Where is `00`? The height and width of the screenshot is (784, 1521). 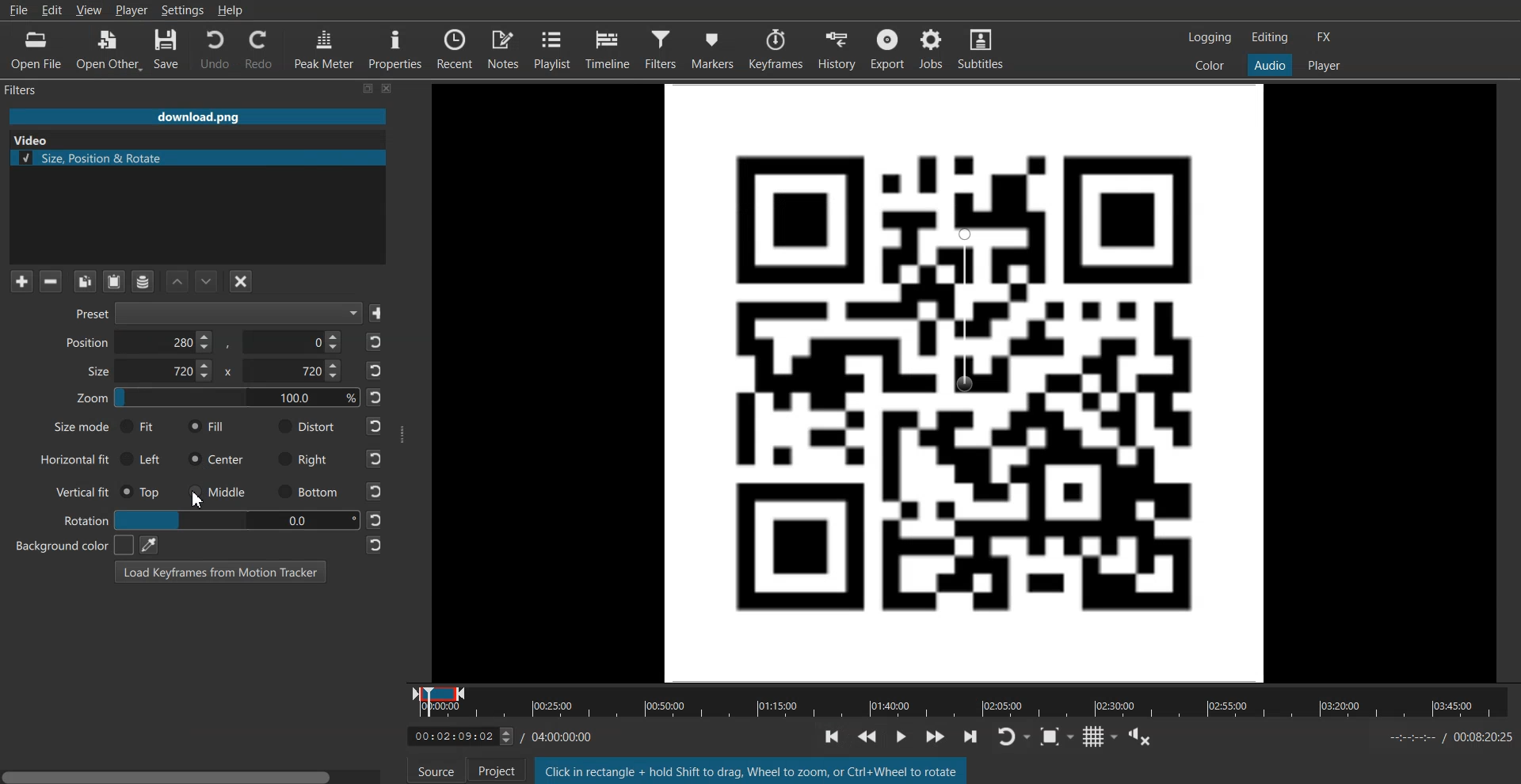
00 is located at coordinates (234, 519).